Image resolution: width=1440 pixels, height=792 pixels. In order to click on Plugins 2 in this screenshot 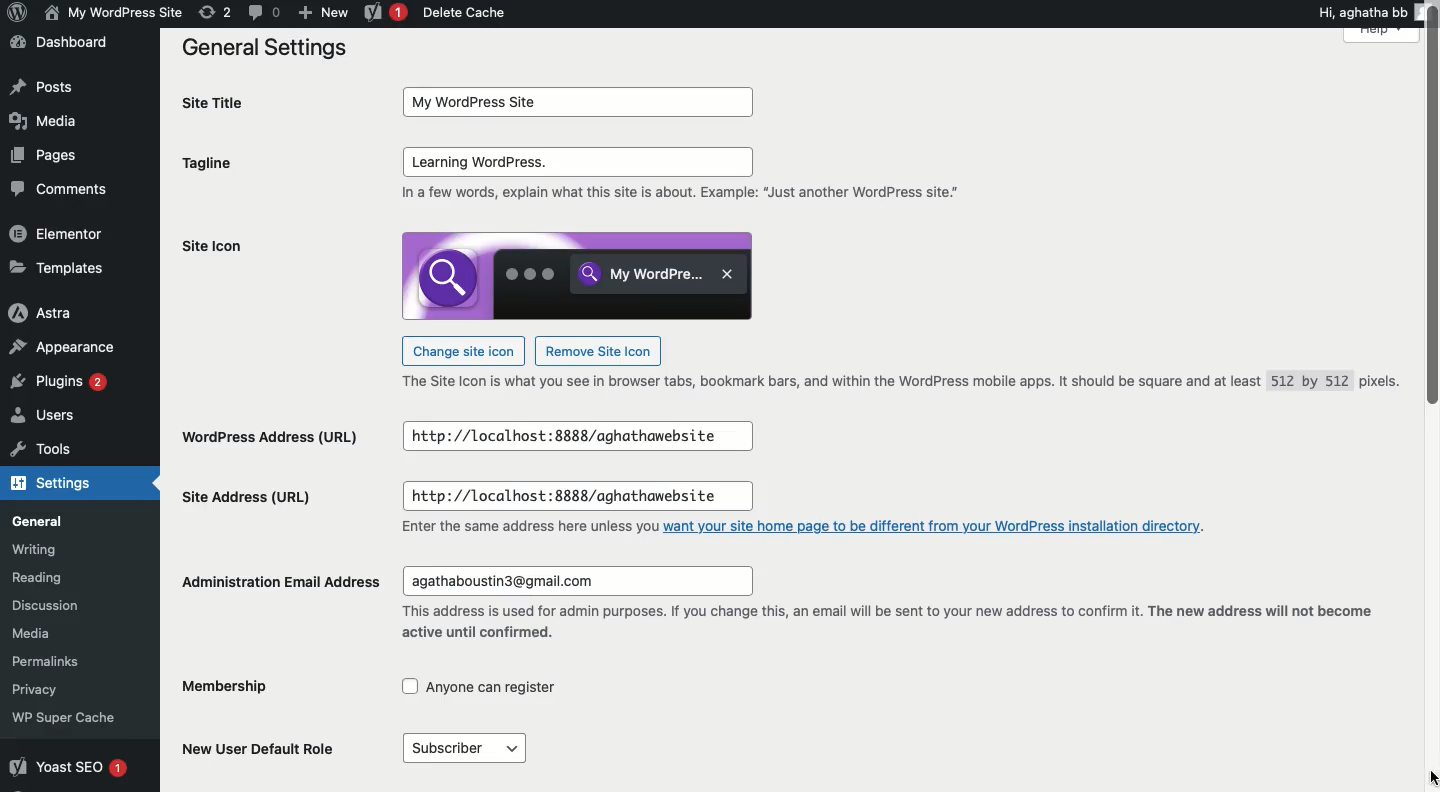, I will do `click(57, 383)`.